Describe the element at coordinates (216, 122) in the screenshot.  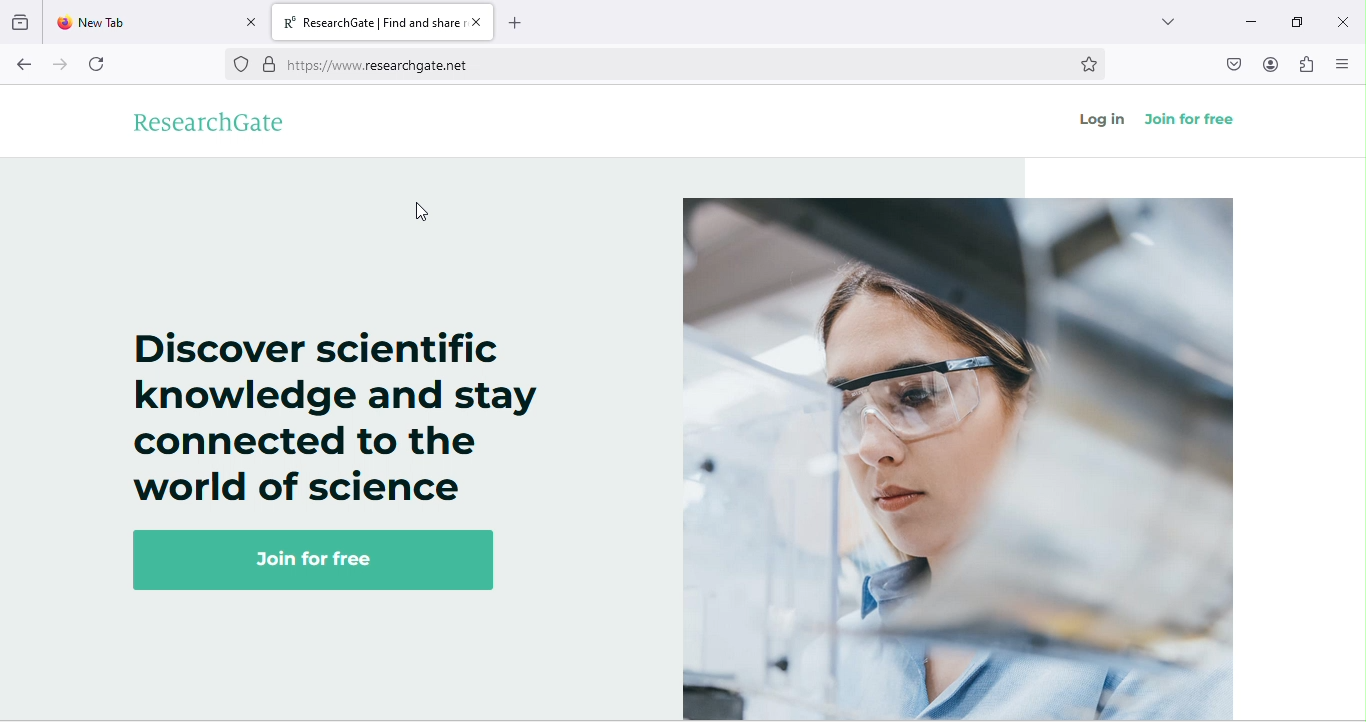
I see `research gate` at that location.